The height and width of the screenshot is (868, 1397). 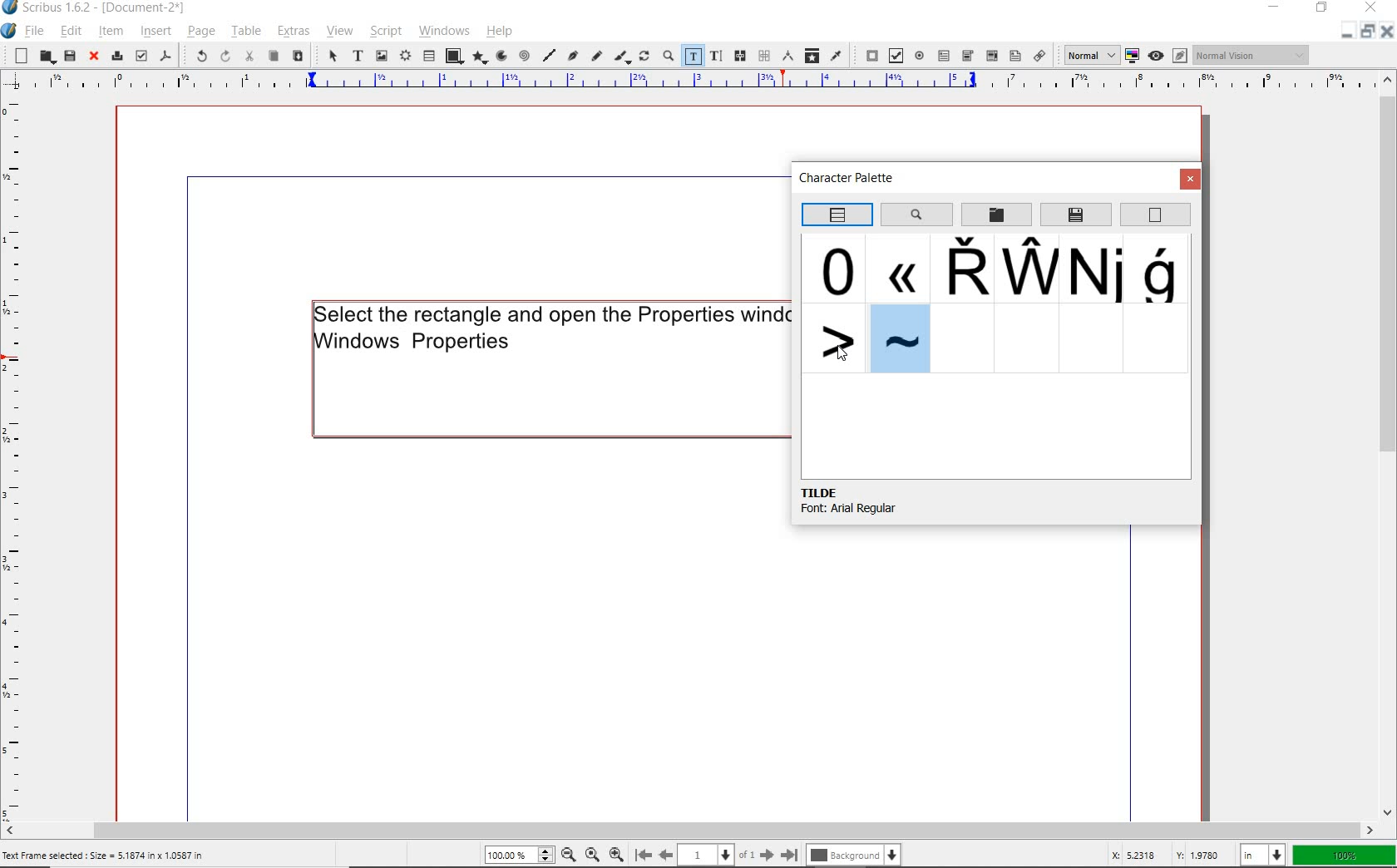 I want to click on default zoom, so click(x=591, y=852).